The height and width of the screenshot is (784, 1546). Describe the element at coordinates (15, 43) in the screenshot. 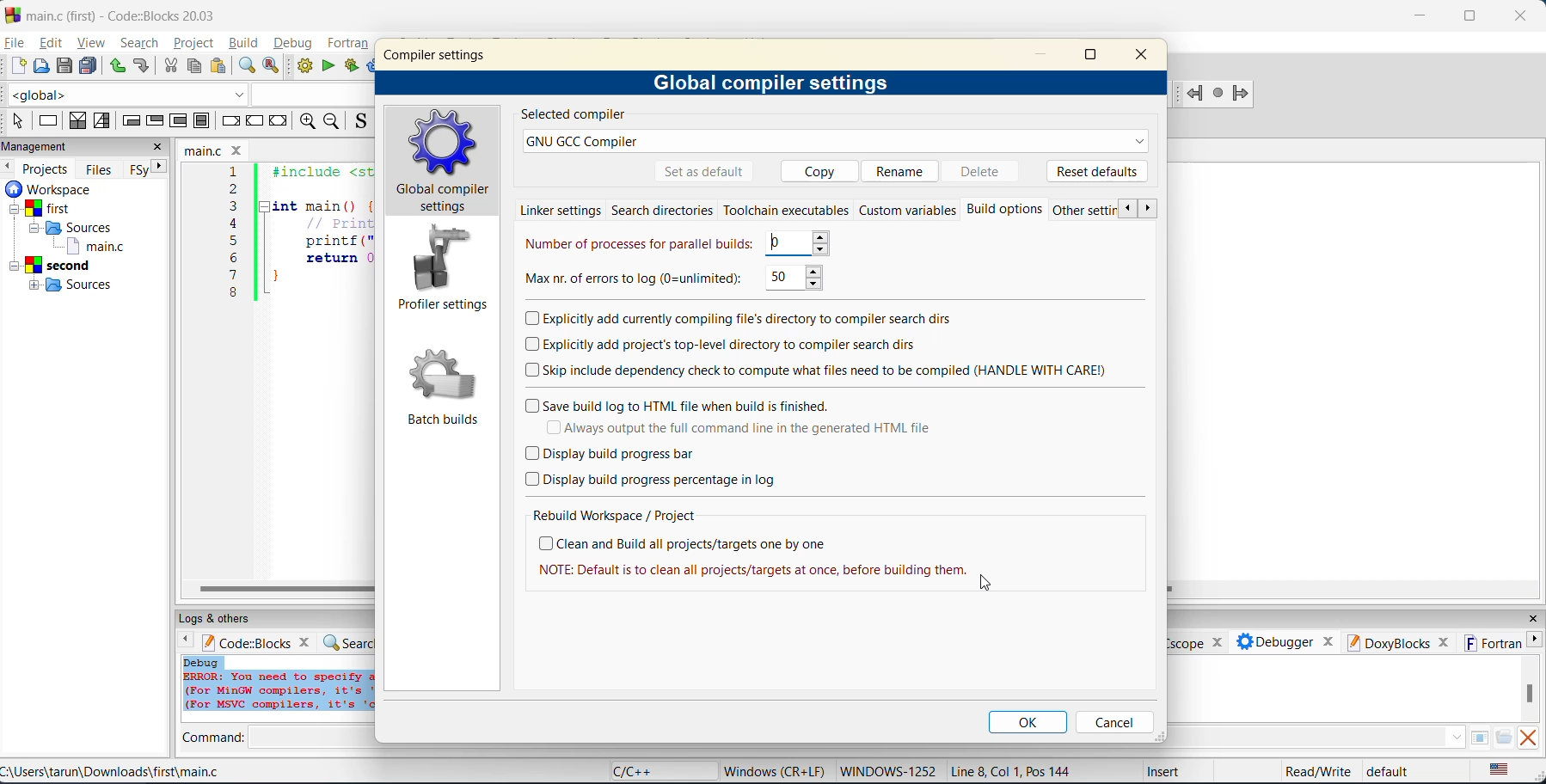

I see `file` at that location.